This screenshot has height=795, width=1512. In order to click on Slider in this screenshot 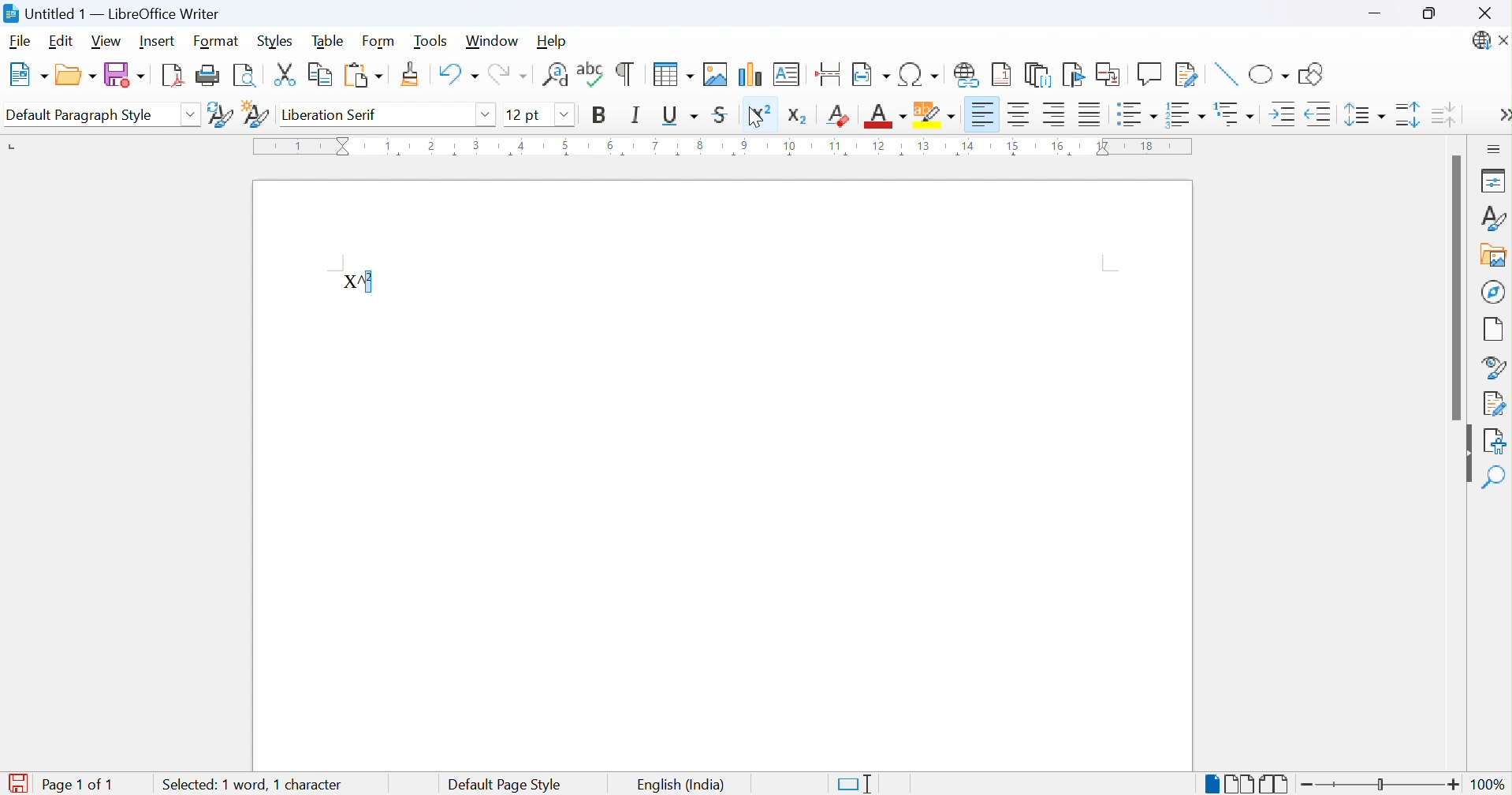, I will do `click(1379, 784)`.